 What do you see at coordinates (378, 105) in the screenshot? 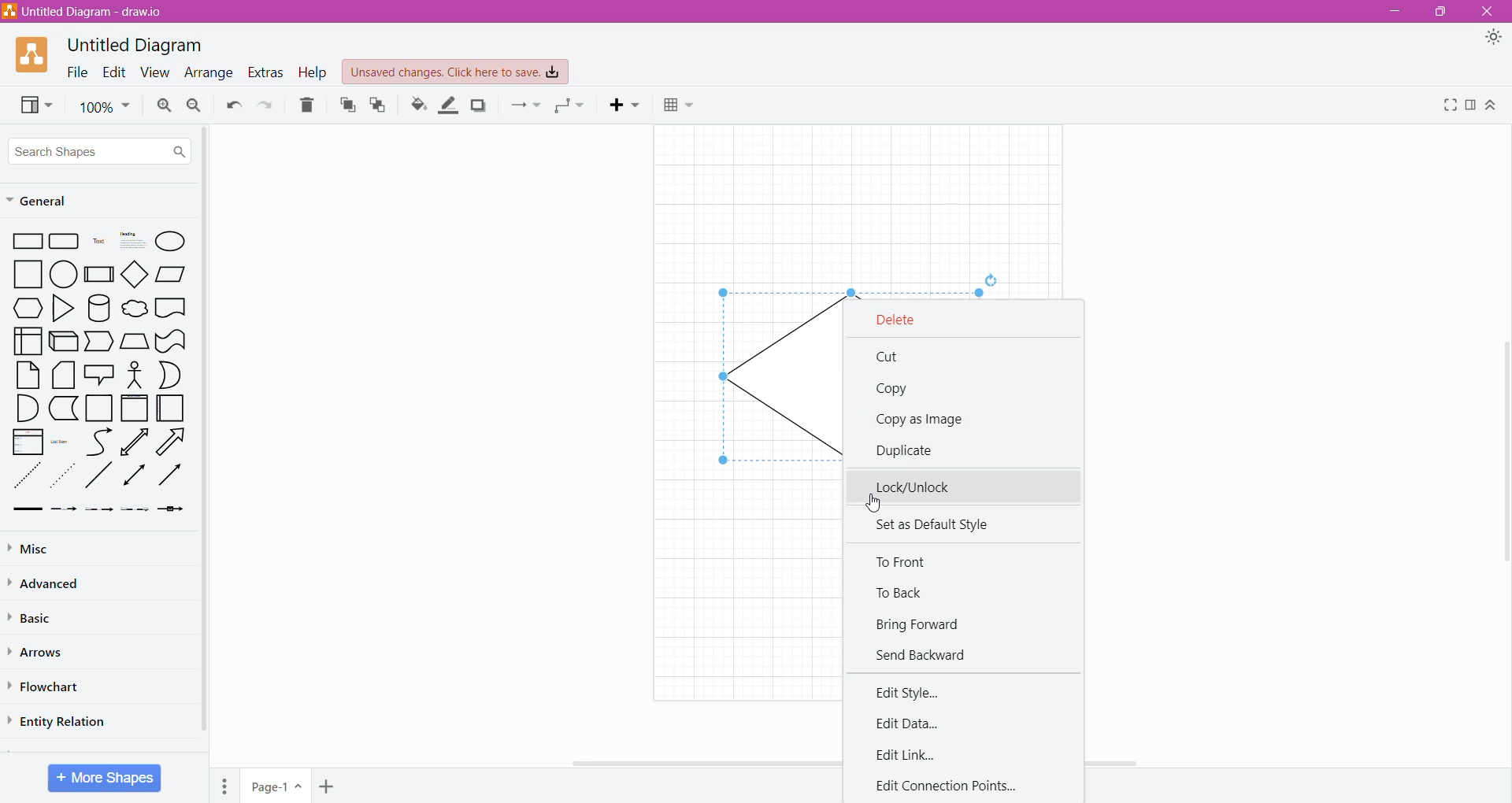
I see `To Back` at bounding box center [378, 105].